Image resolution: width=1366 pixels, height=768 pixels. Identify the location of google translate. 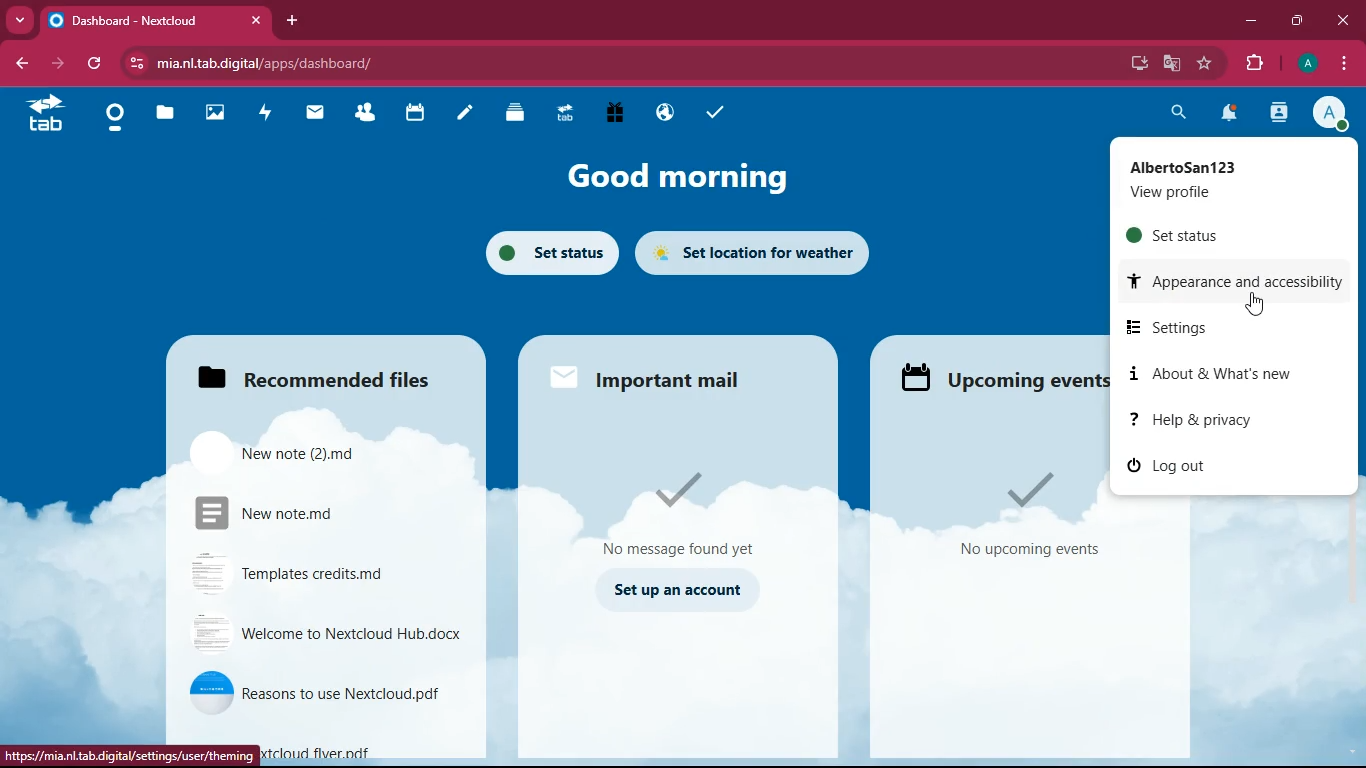
(1170, 64).